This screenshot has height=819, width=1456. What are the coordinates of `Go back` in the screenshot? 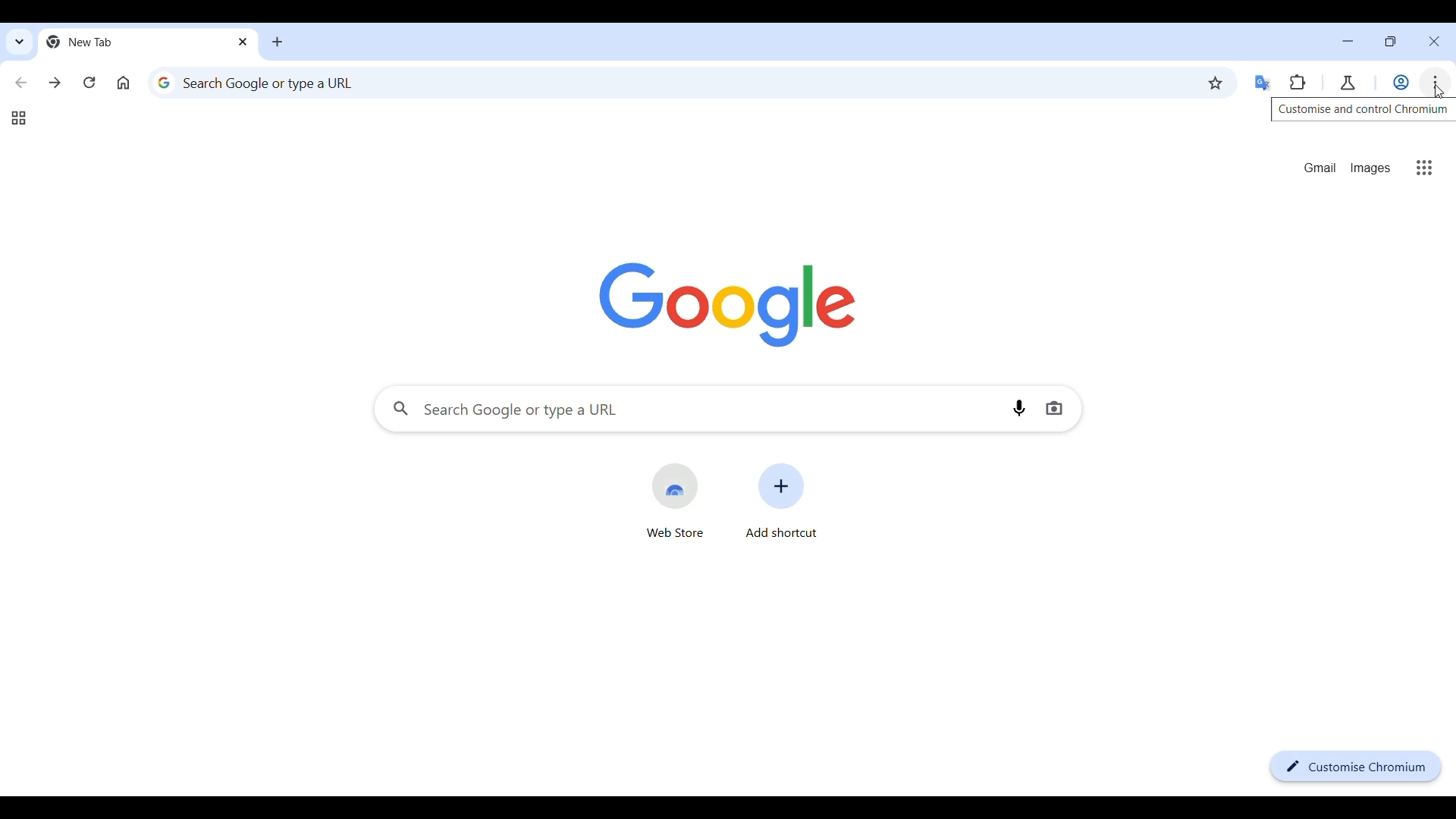 It's located at (22, 83).